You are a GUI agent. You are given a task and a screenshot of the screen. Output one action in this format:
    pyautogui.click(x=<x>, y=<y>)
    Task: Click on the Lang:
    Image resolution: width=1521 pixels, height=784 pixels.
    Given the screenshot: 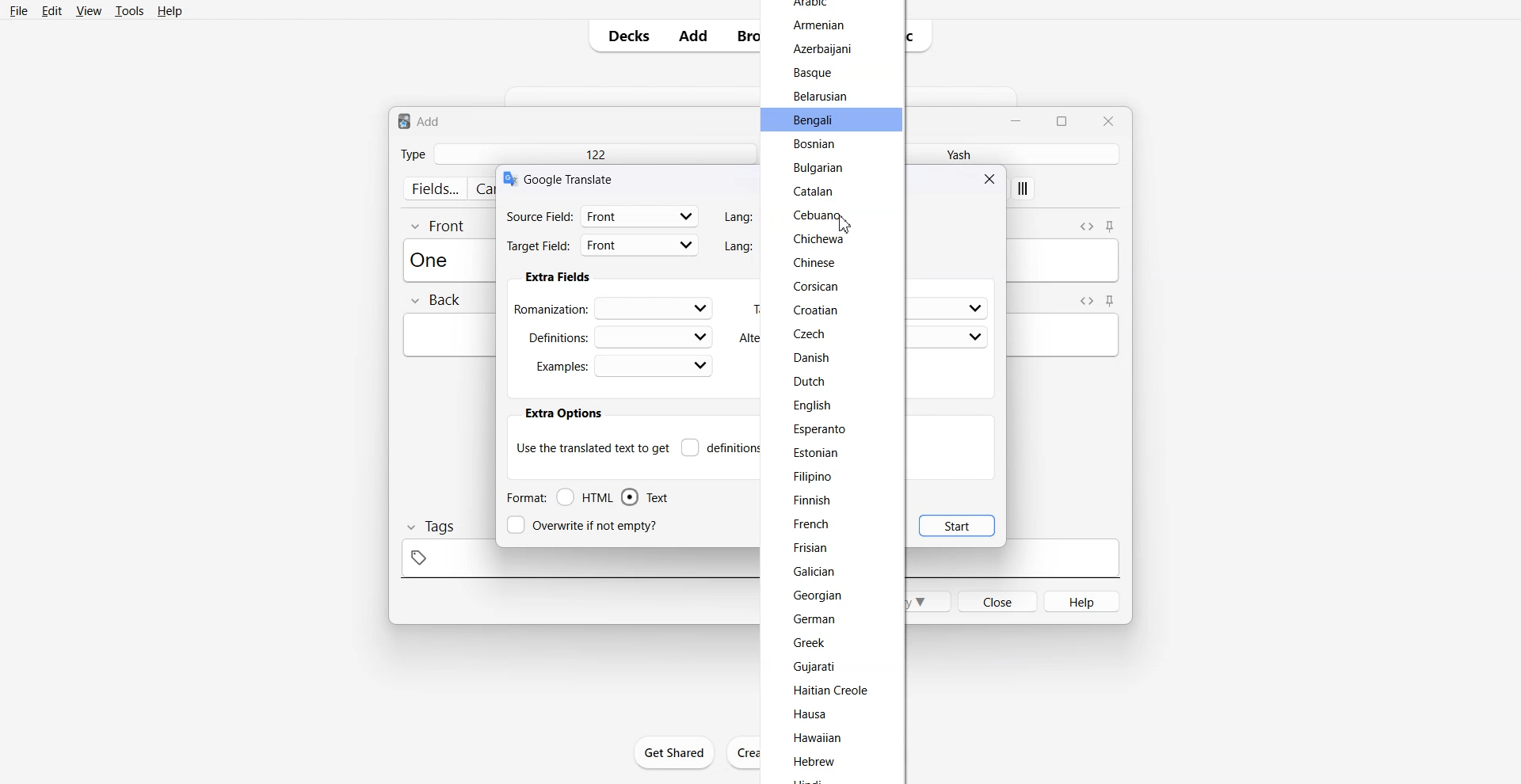 What is the action you would take?
    pyautogui.click(x=736, y=217)
    